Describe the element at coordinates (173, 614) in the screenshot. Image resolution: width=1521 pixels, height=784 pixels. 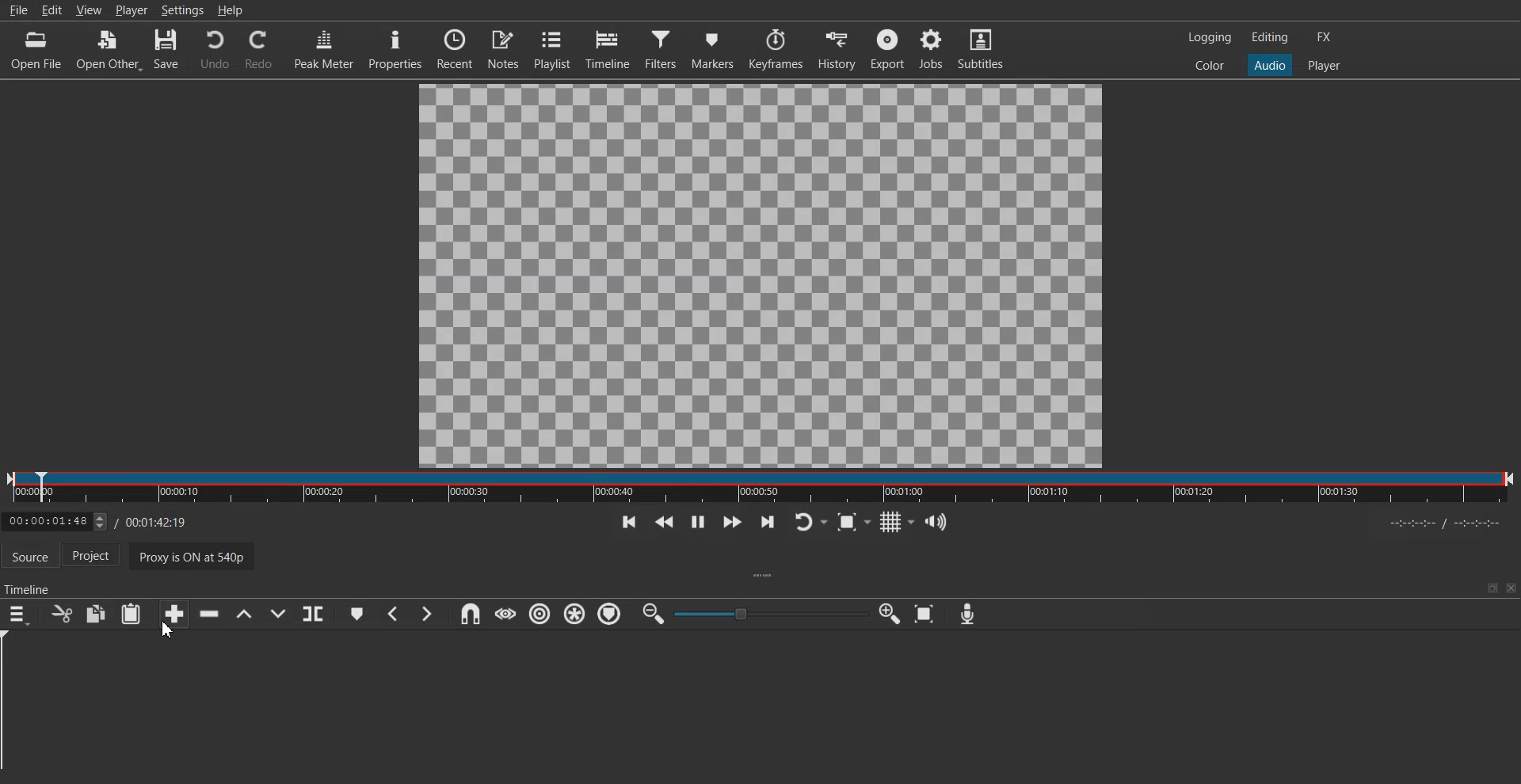
I see `Append` at that location.